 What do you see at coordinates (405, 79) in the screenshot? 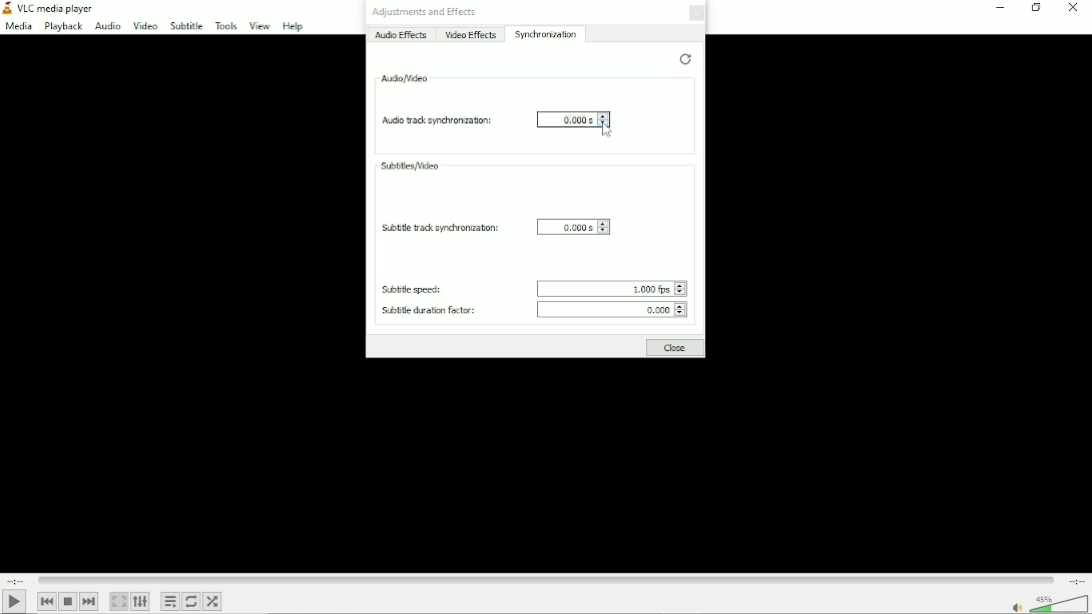
I see `Audio/video` at bounding box center [405, 79].